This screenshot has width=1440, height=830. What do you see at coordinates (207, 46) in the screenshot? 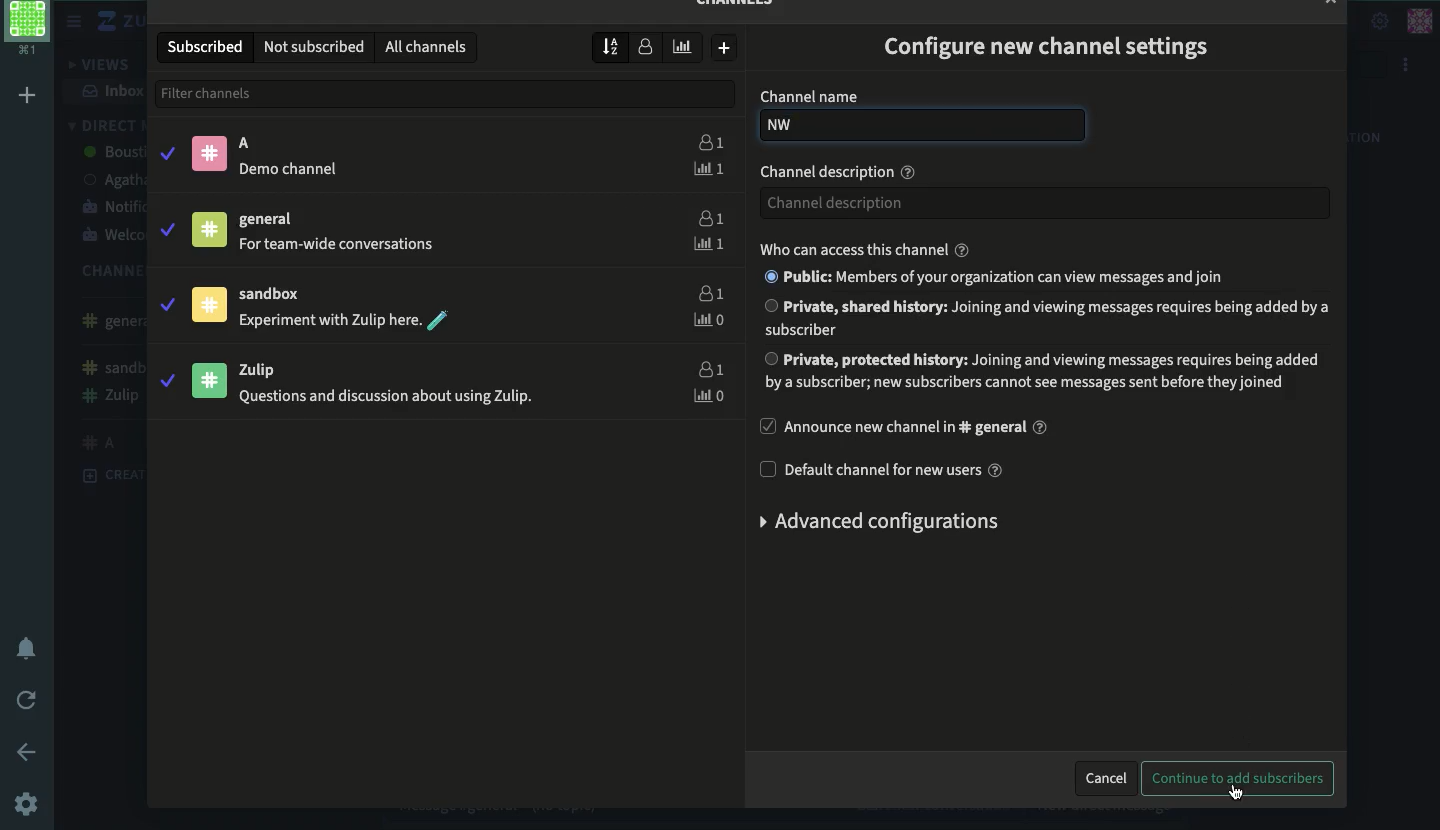
I see `subscribed` at bounding box center [207, 46].